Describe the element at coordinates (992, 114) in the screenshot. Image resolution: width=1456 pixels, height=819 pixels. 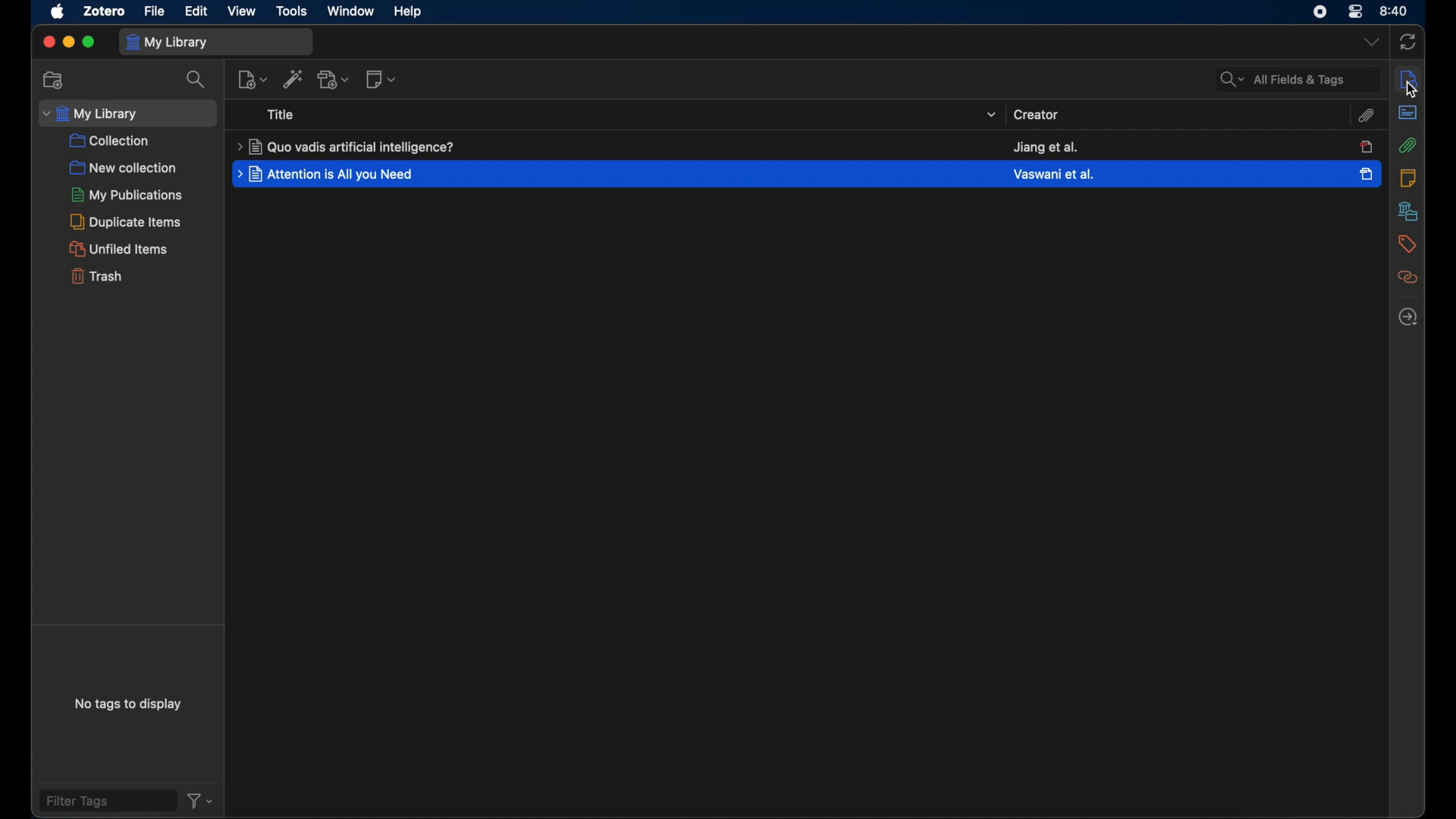
I see `title dropdown` at that location.